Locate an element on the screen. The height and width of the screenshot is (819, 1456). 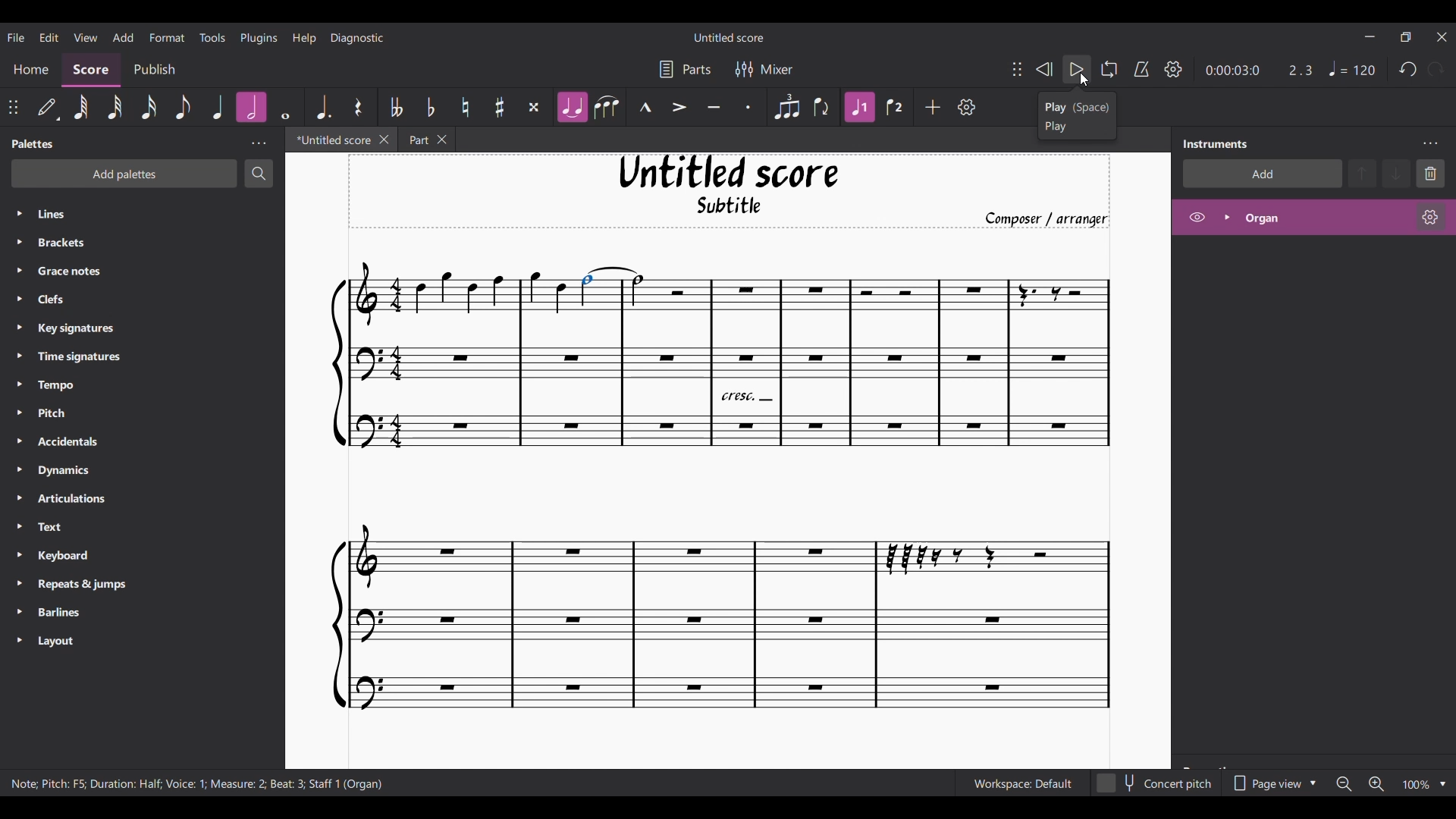
Help menu is located at coordinates (305, 38).